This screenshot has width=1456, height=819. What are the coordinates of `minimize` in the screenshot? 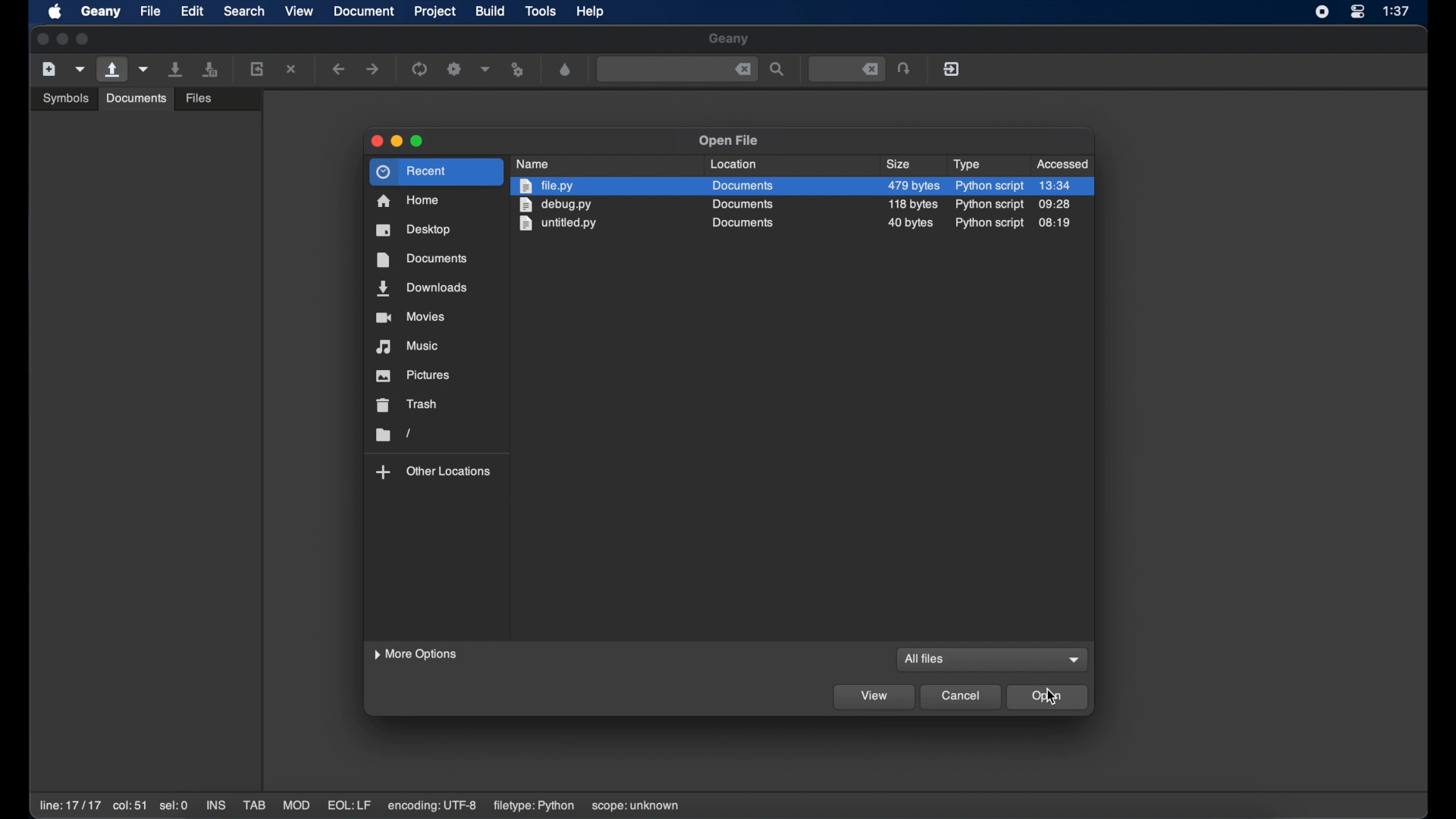 It's located at (397, 141).